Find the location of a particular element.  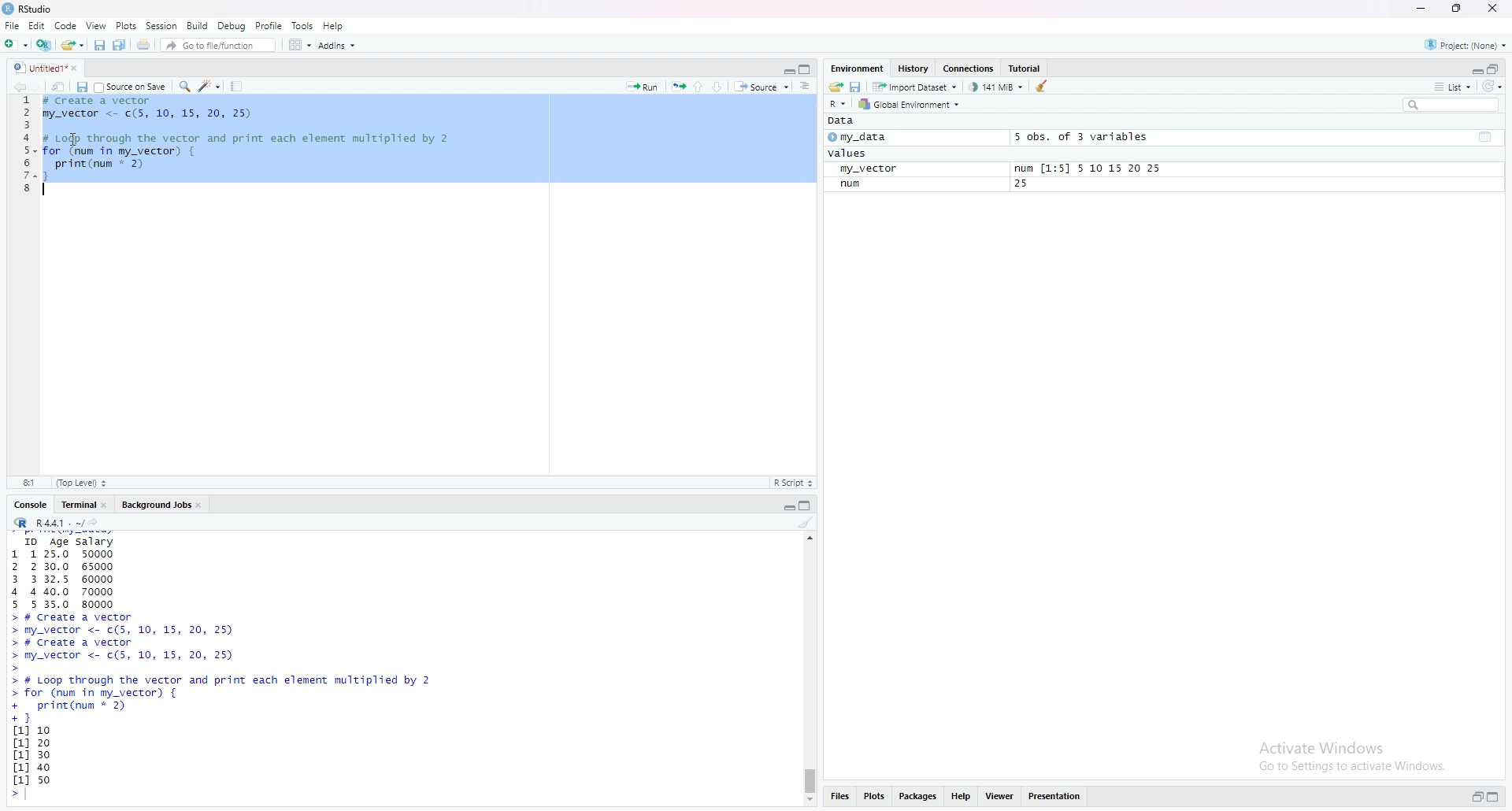

view the current working directory is located at coordinates (98, 523).